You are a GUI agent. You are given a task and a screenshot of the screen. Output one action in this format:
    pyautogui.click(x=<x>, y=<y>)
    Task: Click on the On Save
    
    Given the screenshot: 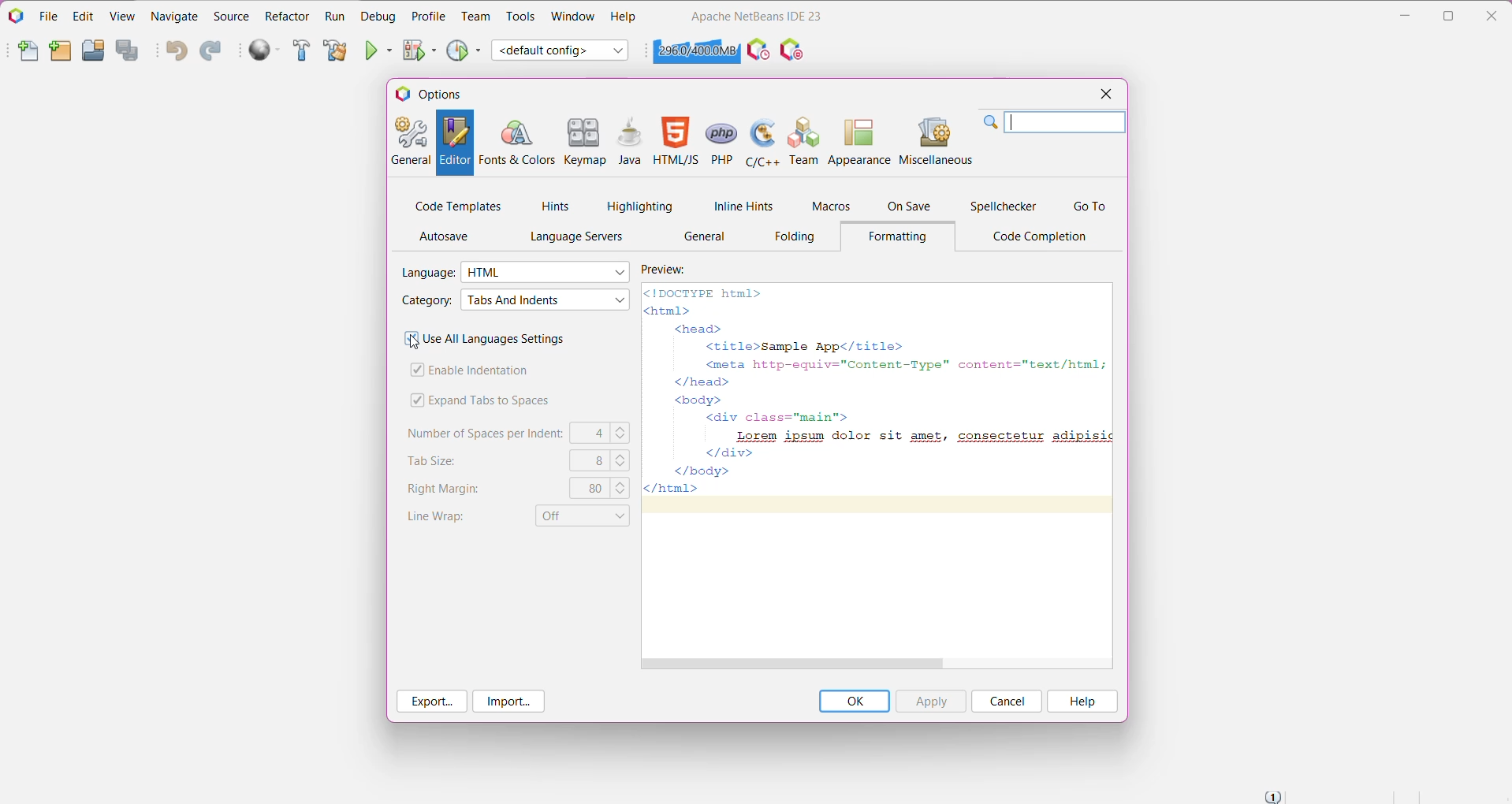 What is the action you would take?
    pyautogui.click(x=911, y=207)
    